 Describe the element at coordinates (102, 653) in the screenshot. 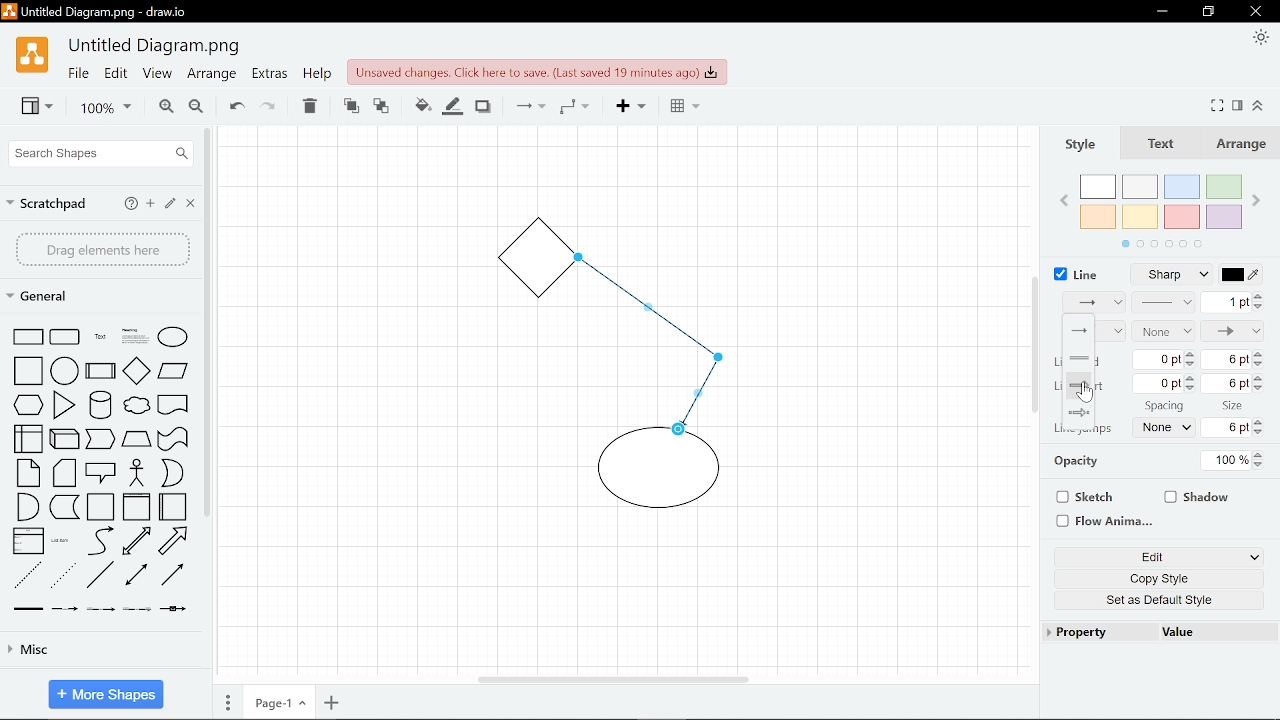

I see `Misc` at that location.